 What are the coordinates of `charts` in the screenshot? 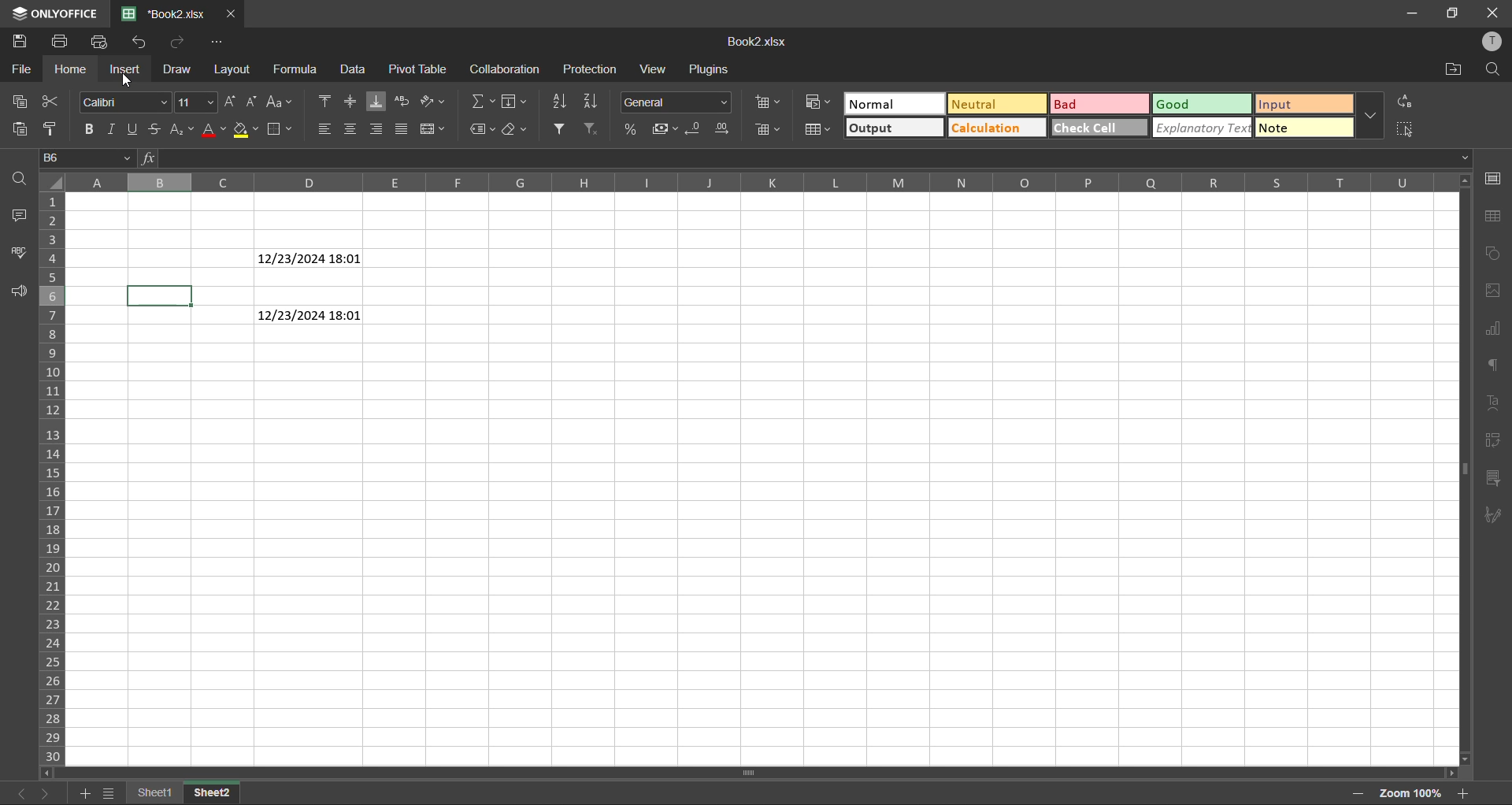 It's located at (1495, 332).